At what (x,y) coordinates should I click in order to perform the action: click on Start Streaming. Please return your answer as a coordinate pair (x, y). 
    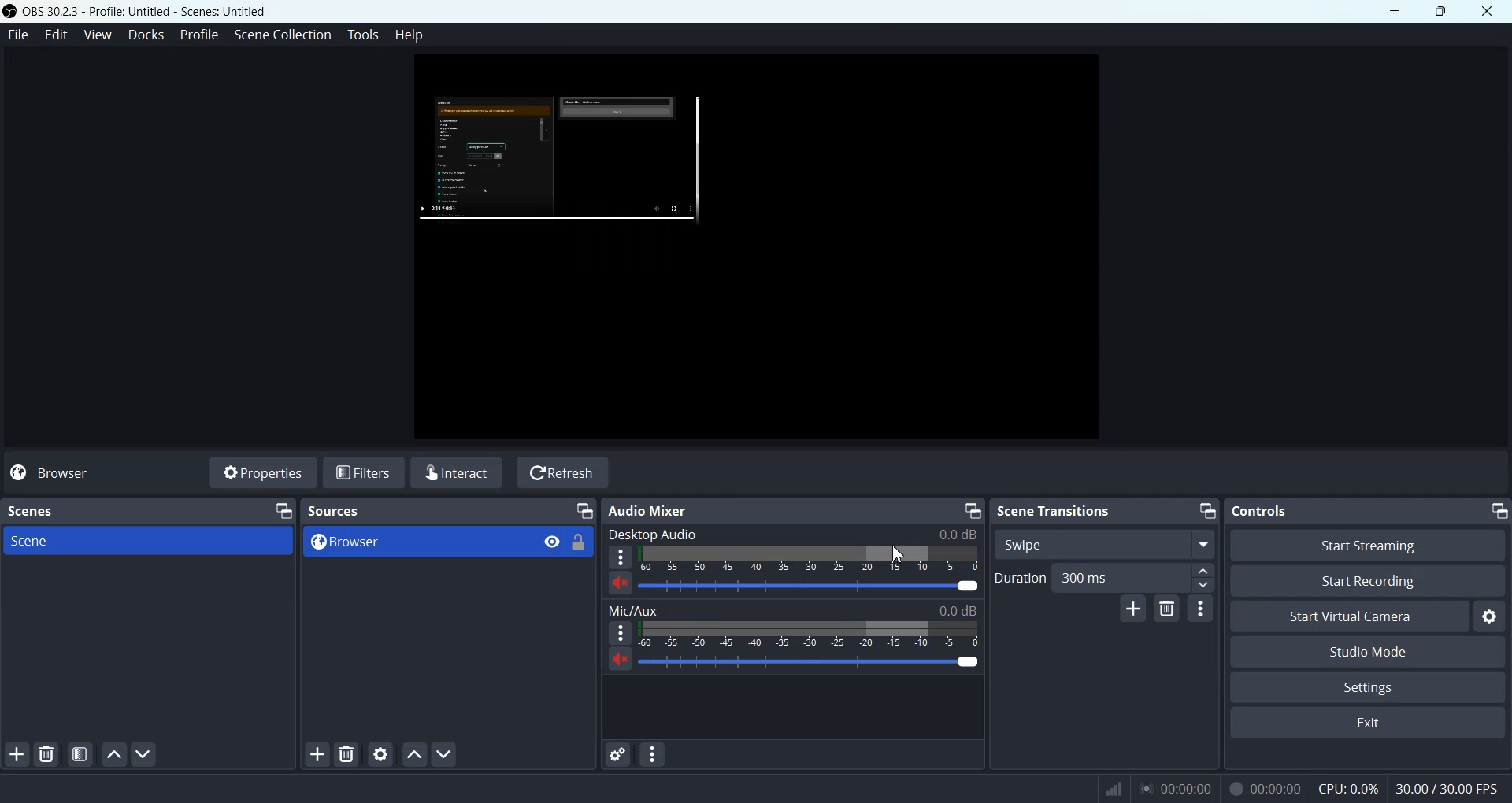
    Looking at the image, I should click on (1368, 545).